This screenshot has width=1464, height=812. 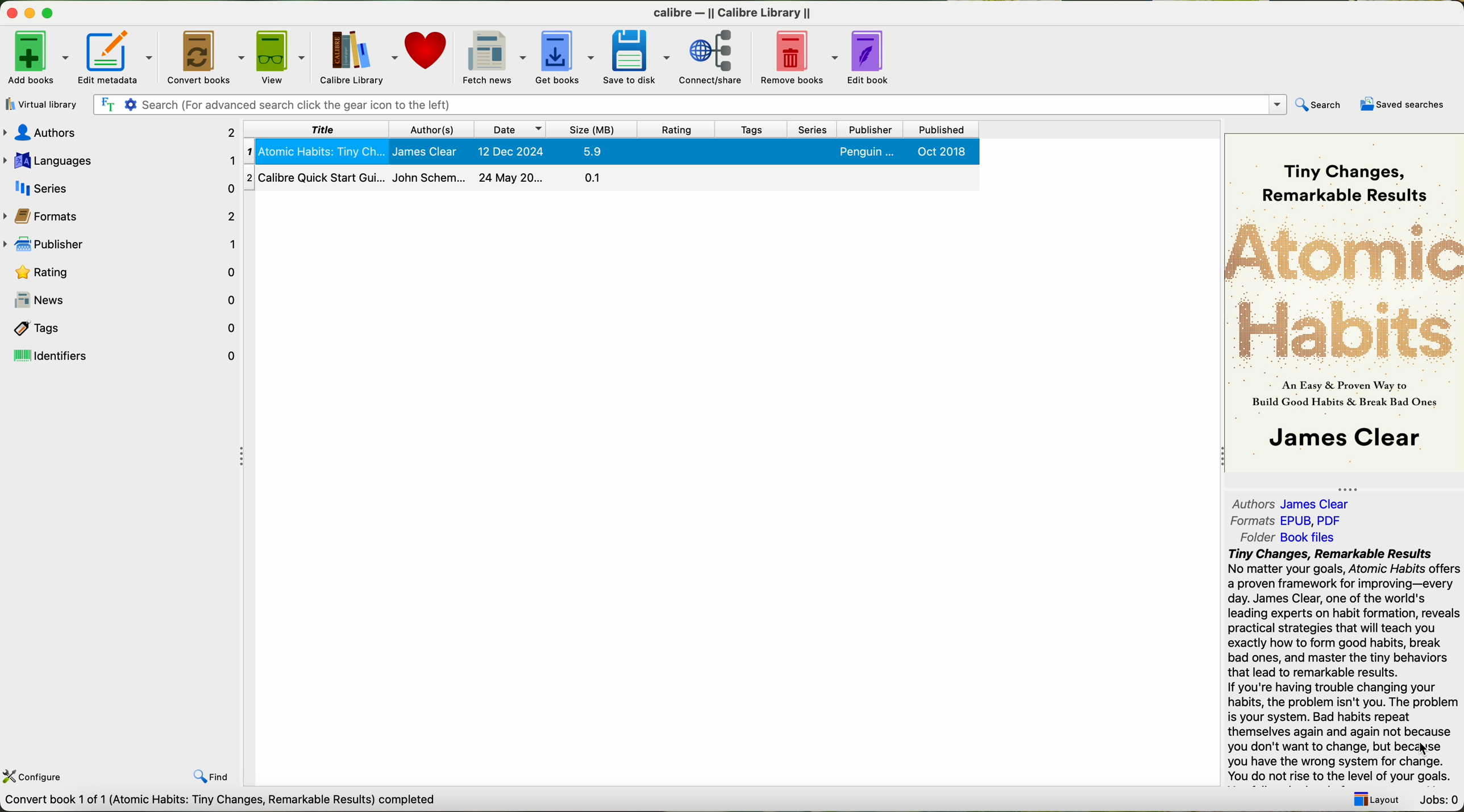 I want to click on summary, so click(x=1345, y=667).